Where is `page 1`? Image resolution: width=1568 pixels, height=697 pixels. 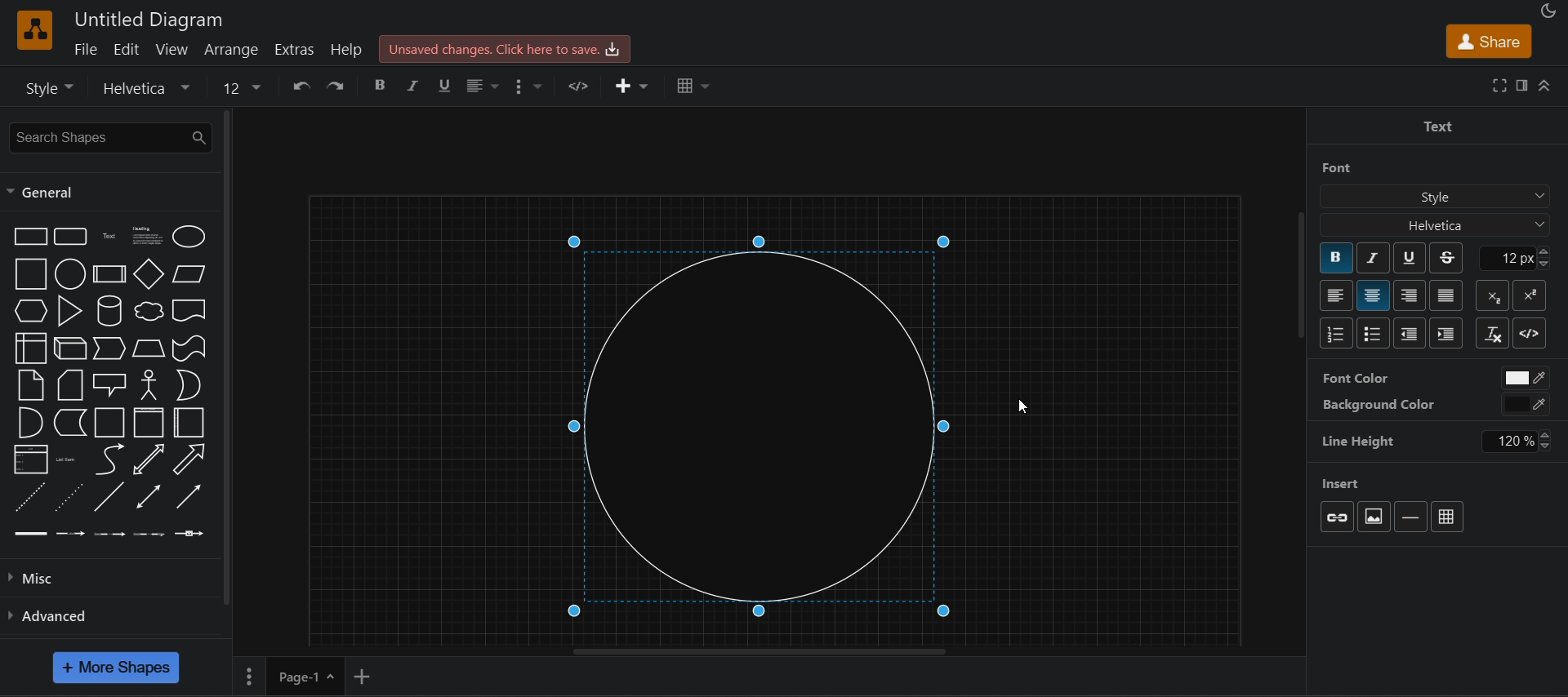
page 1 is located at coordinates (305, 676).